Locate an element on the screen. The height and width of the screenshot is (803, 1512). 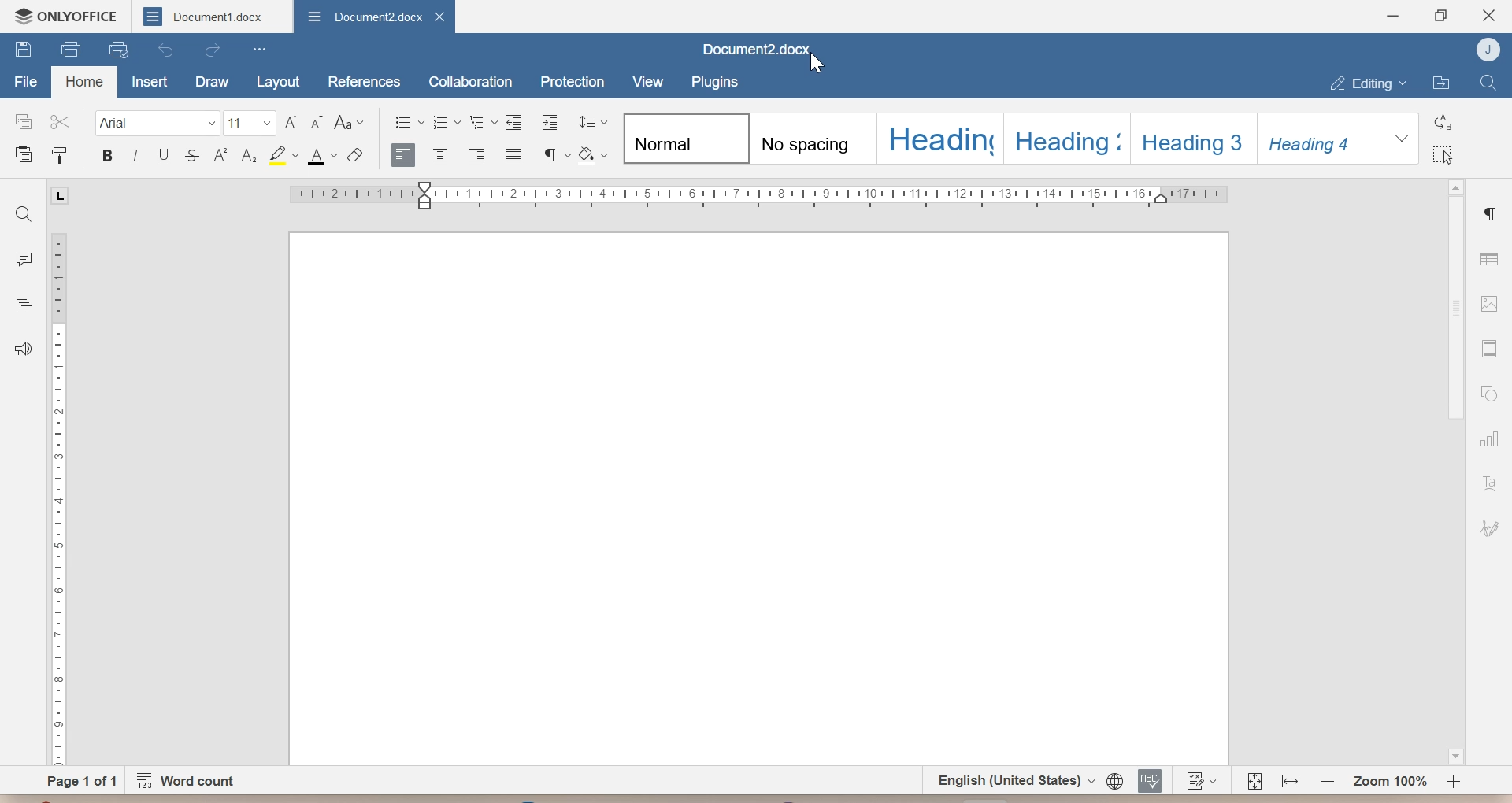
Clear style is located at coordinates (358, 156).